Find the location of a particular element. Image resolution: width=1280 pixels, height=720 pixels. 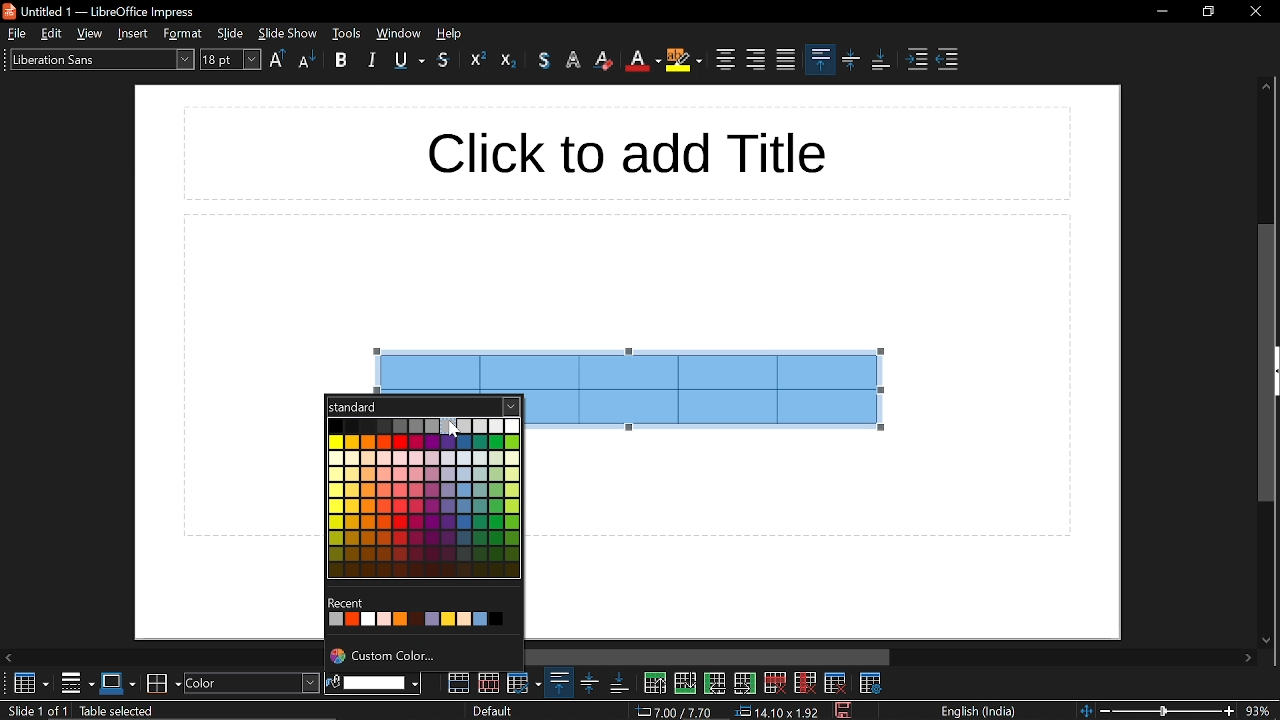

move down is located at coordinates (1268, 638).